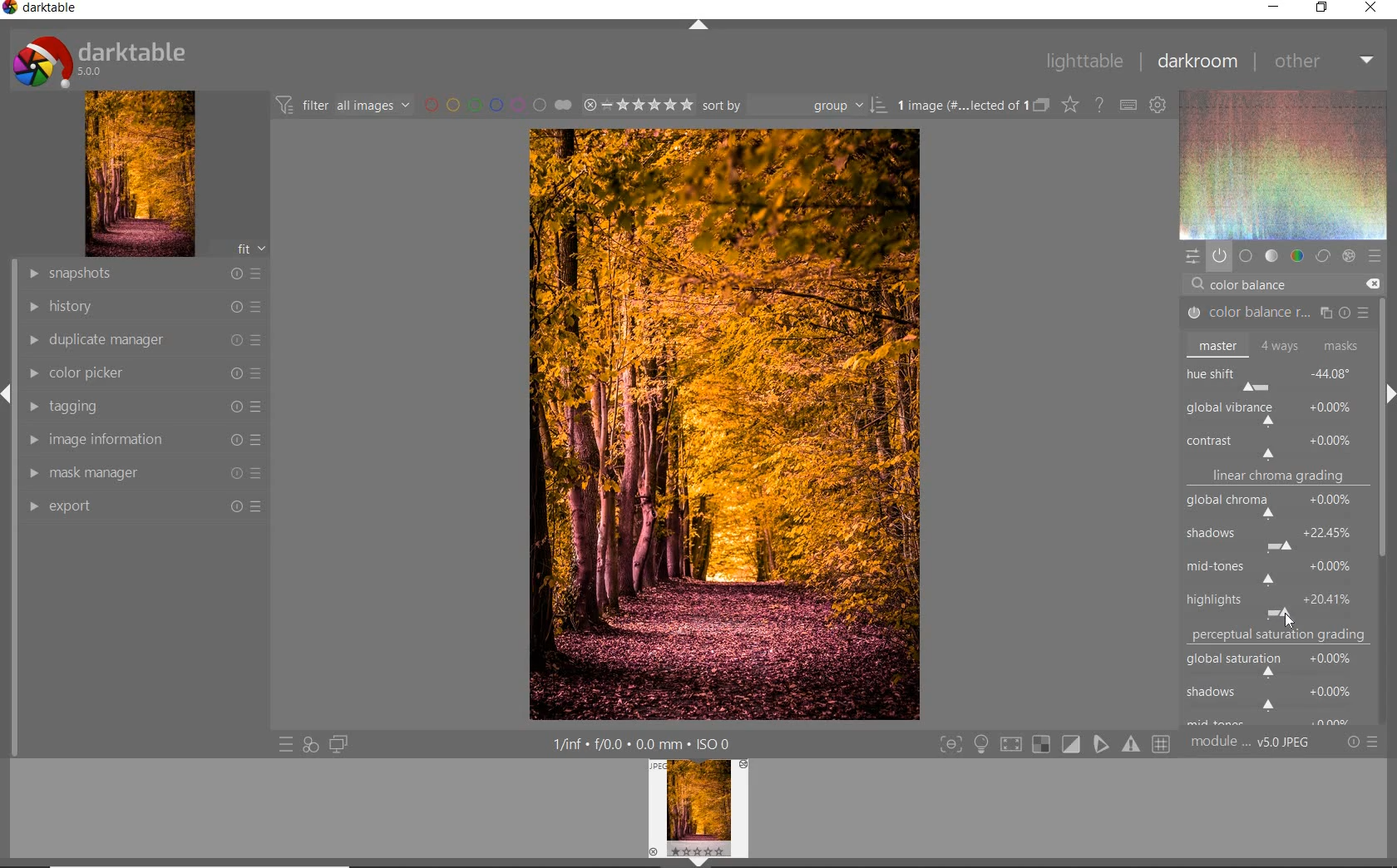  What do you see at coordinates (1252, 411) in the screenshot?
I see `ROTATE ALL HUES BY AN ANGLE AT THE SAME LUMINANCE` at bounding box center [1252, 411].